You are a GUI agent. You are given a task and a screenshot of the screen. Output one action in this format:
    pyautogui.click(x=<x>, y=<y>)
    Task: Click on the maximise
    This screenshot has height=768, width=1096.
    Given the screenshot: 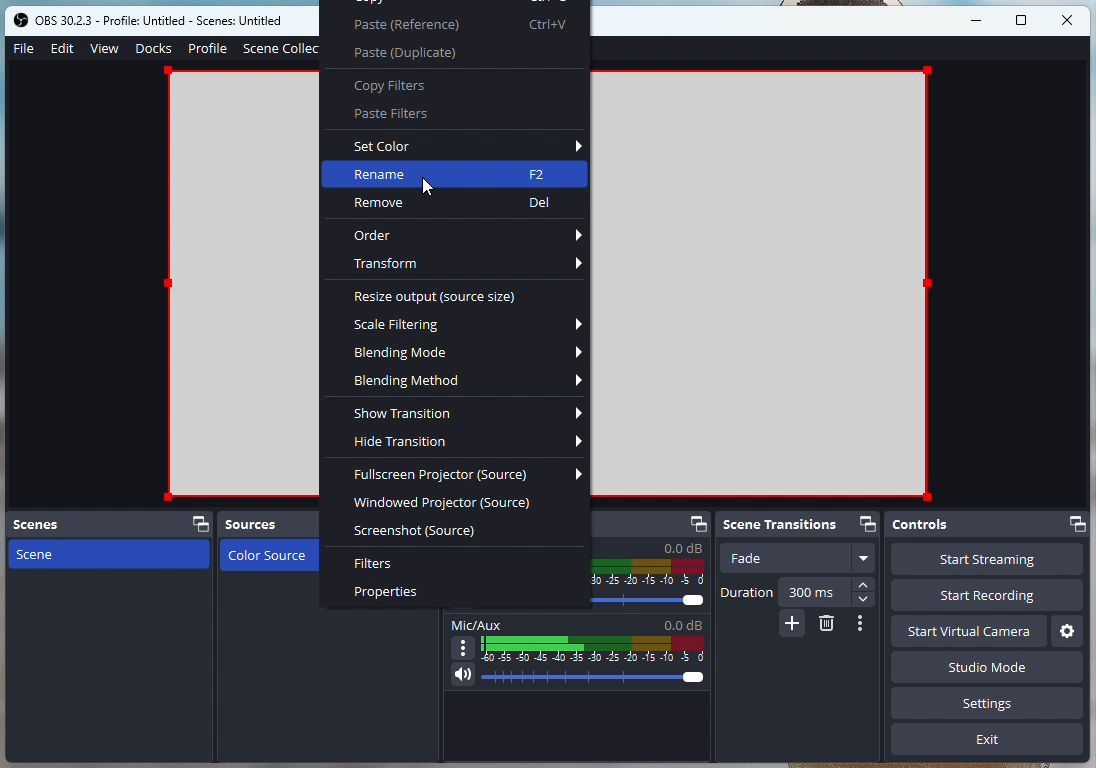 What is the action you would take?
    pyautogui.click(x=1023, y=21)
    